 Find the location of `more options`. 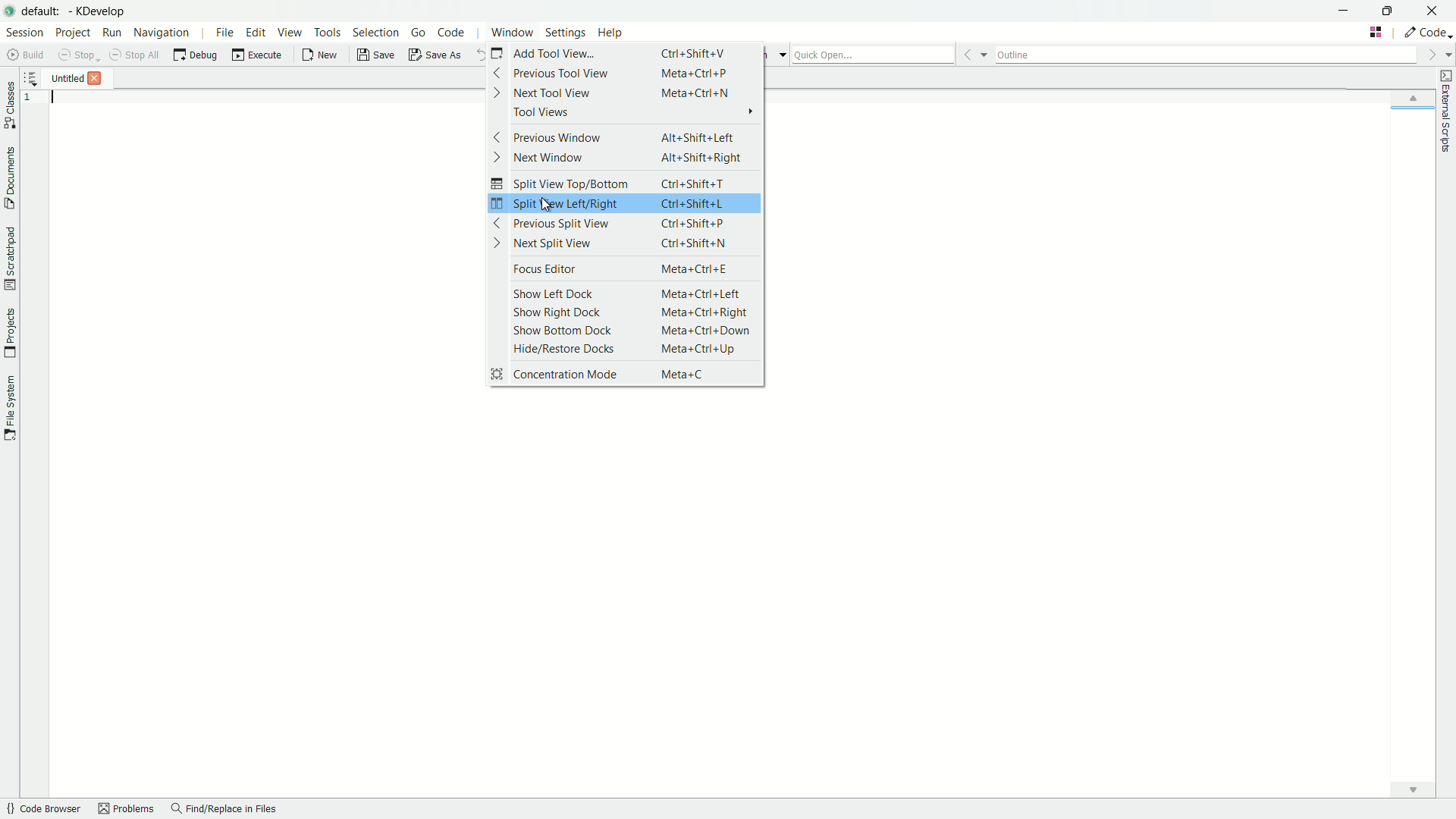

more options is located at coordinates (33, 78).